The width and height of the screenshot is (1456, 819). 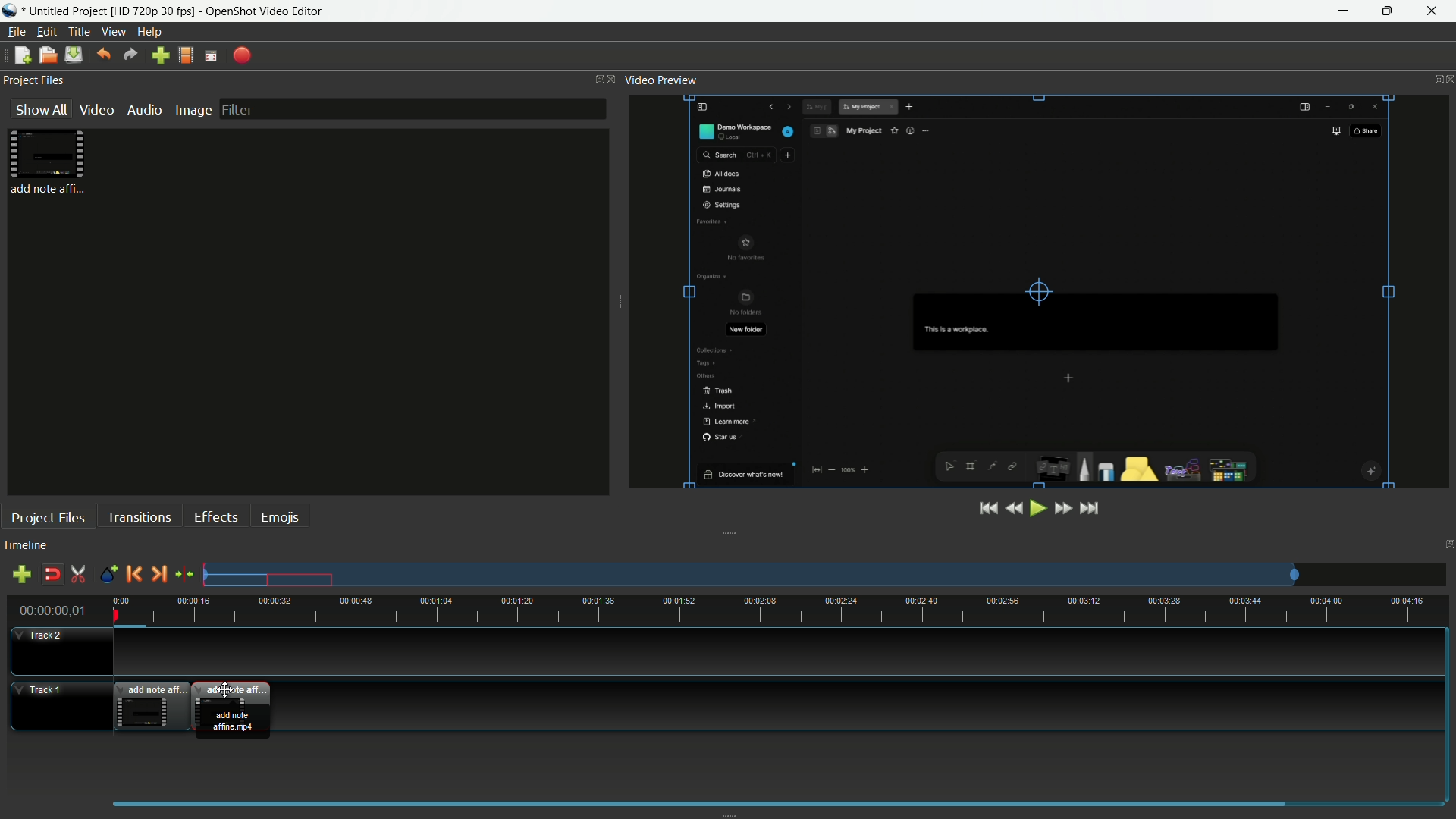 I want to click on jump to start, so click(x=987, y=510).